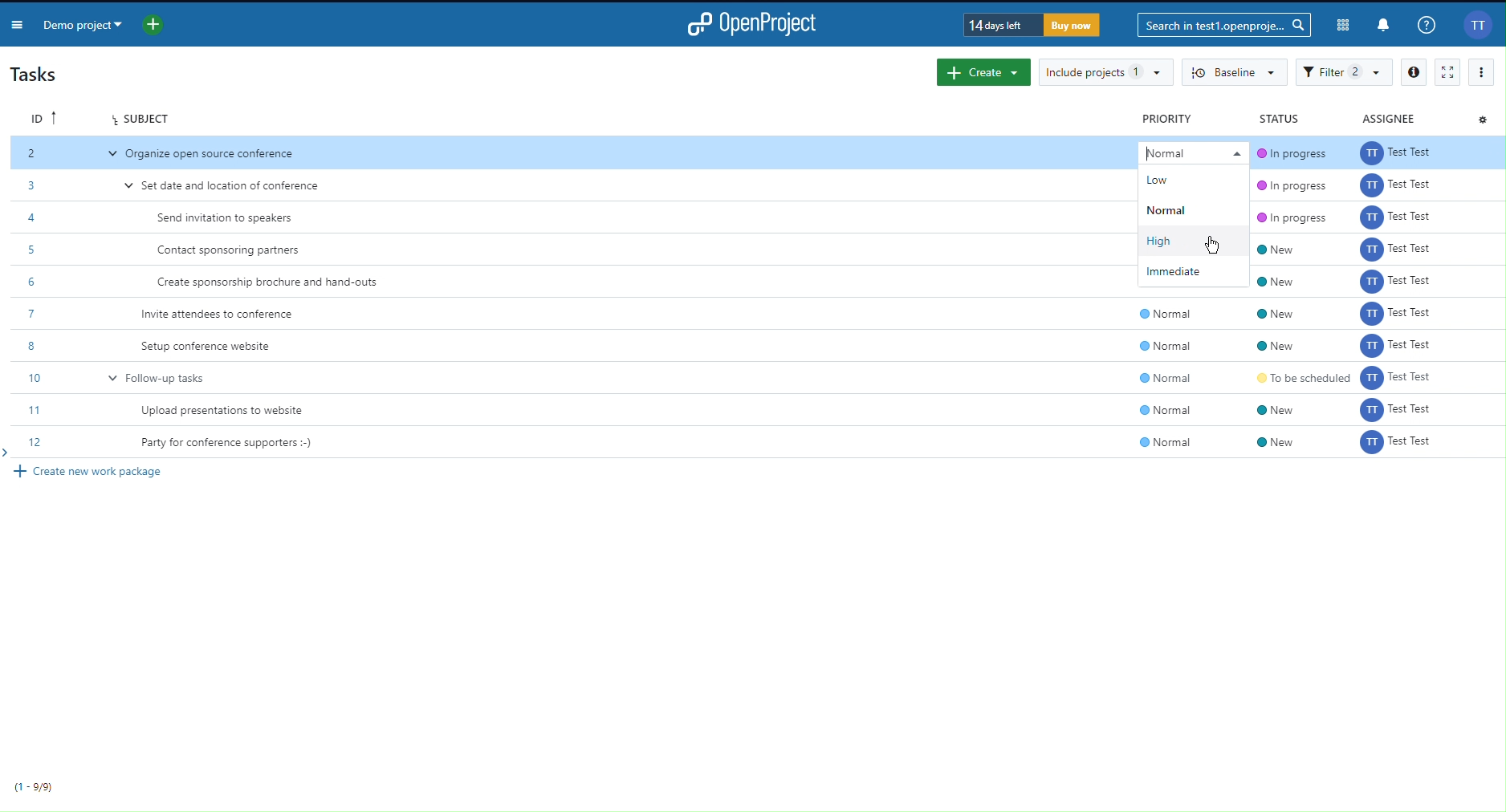 The height and width of the screenshot is (812, 1506). What do you see at coordinates (1170, 118) in the screenshot?
I see `Priority` at bounding box center [1170, 118].